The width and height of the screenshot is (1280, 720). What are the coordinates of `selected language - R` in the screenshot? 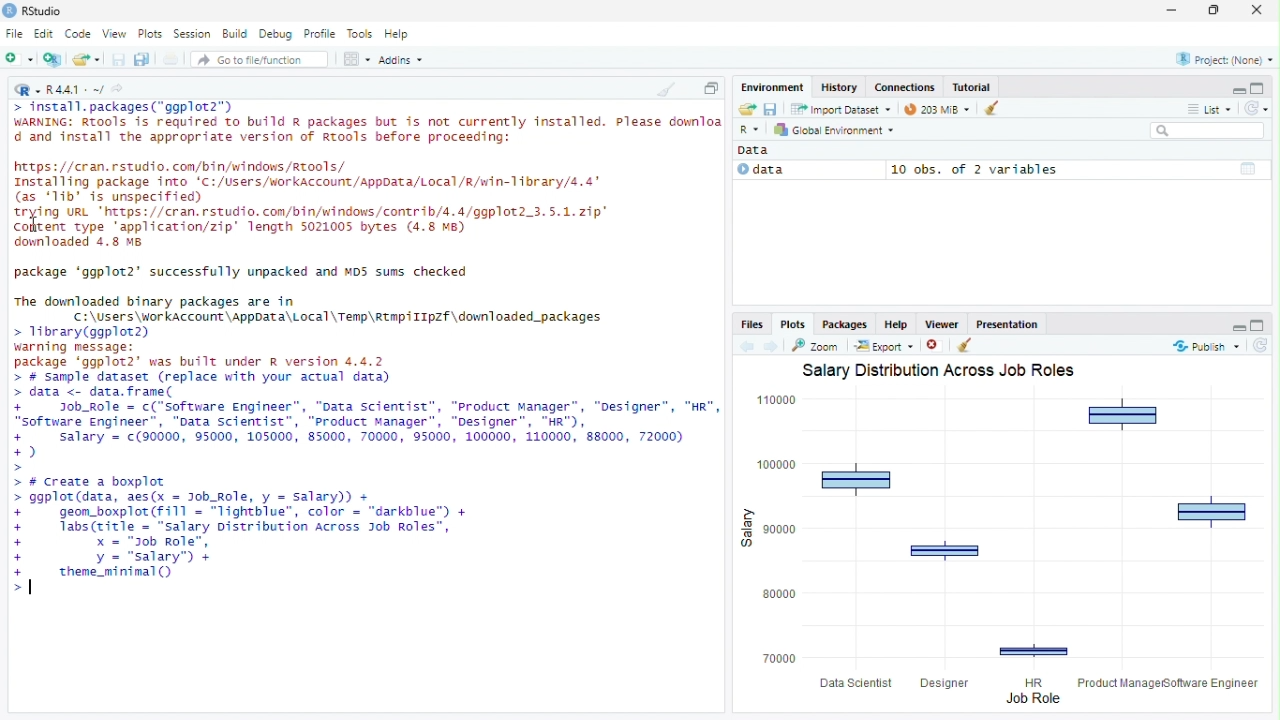 It's located at (750, 129).